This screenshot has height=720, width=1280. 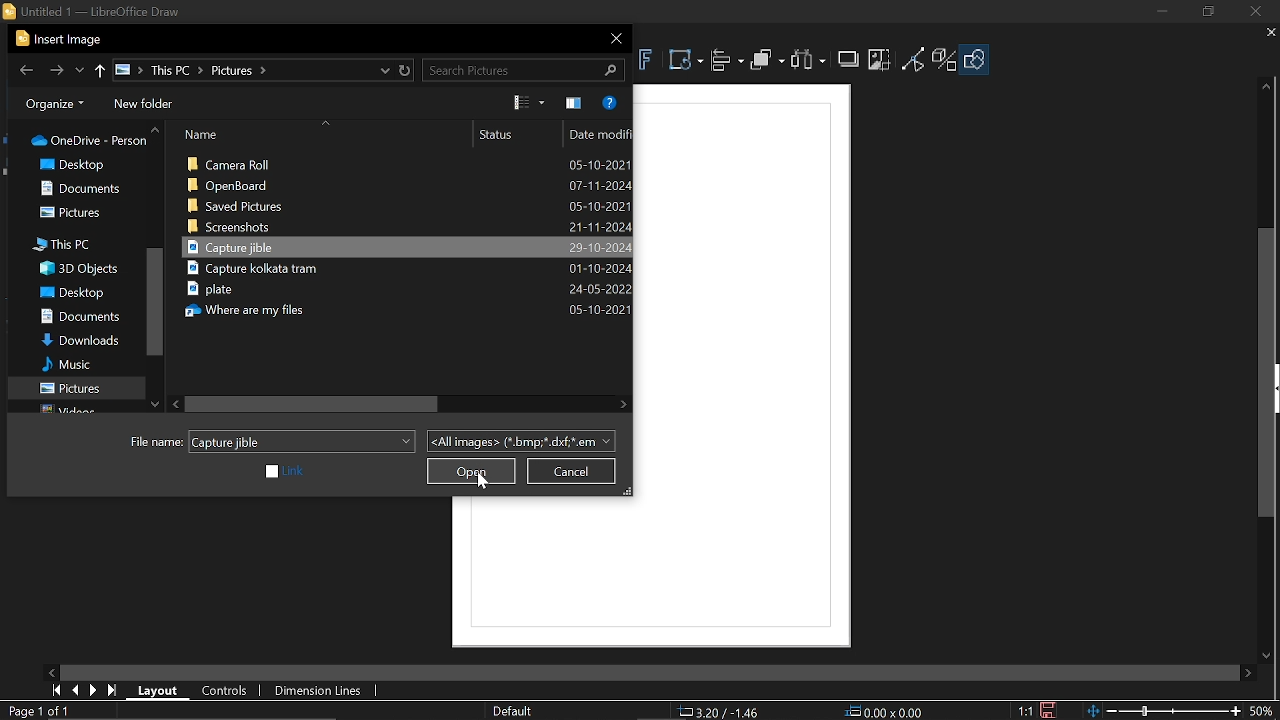 I want to click on sort, so click(x=323, y=125).